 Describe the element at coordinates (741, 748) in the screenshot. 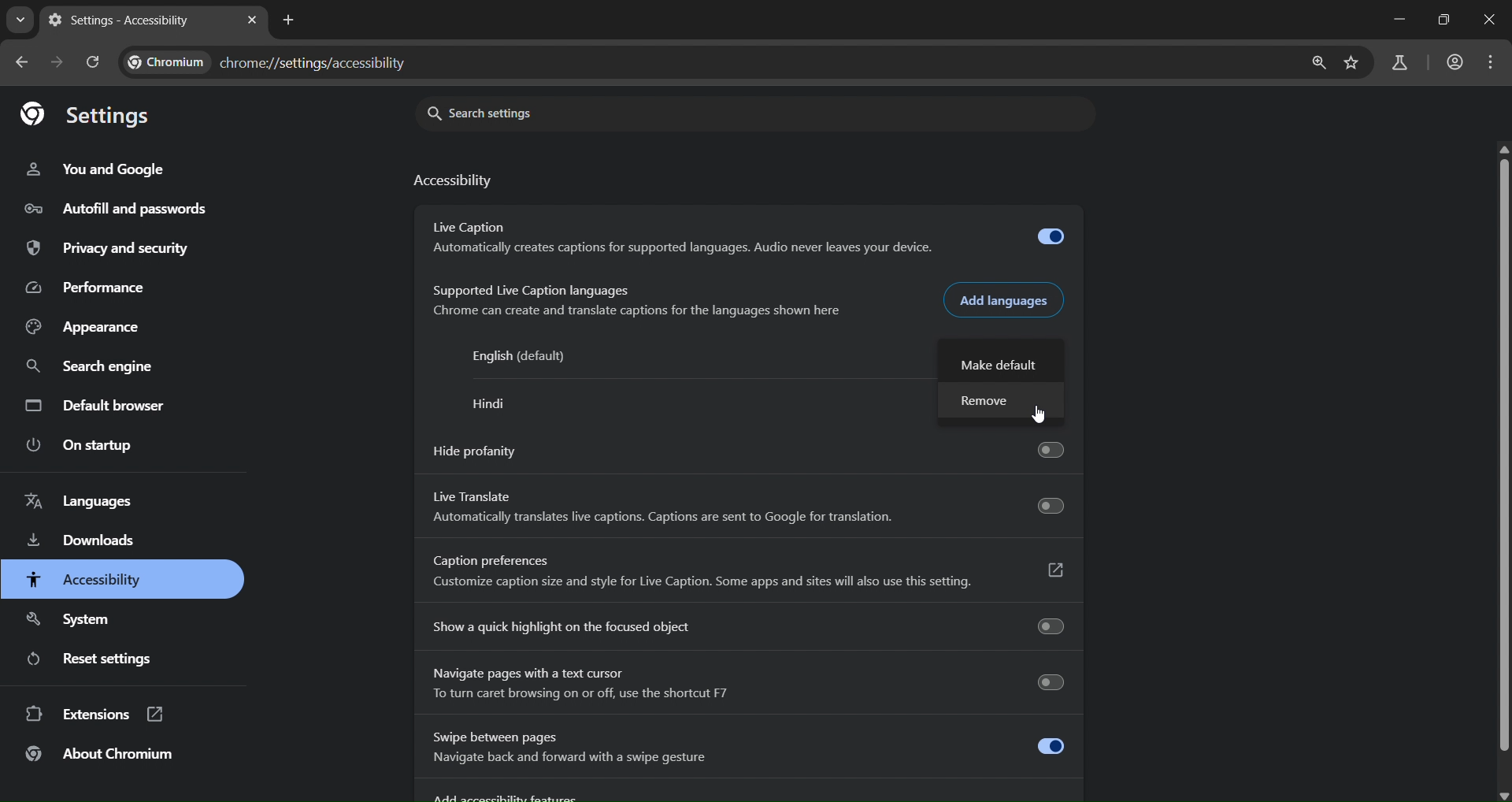

I see `Swipe between pages
Navigate back and forward with a swipe gesture` at that location.